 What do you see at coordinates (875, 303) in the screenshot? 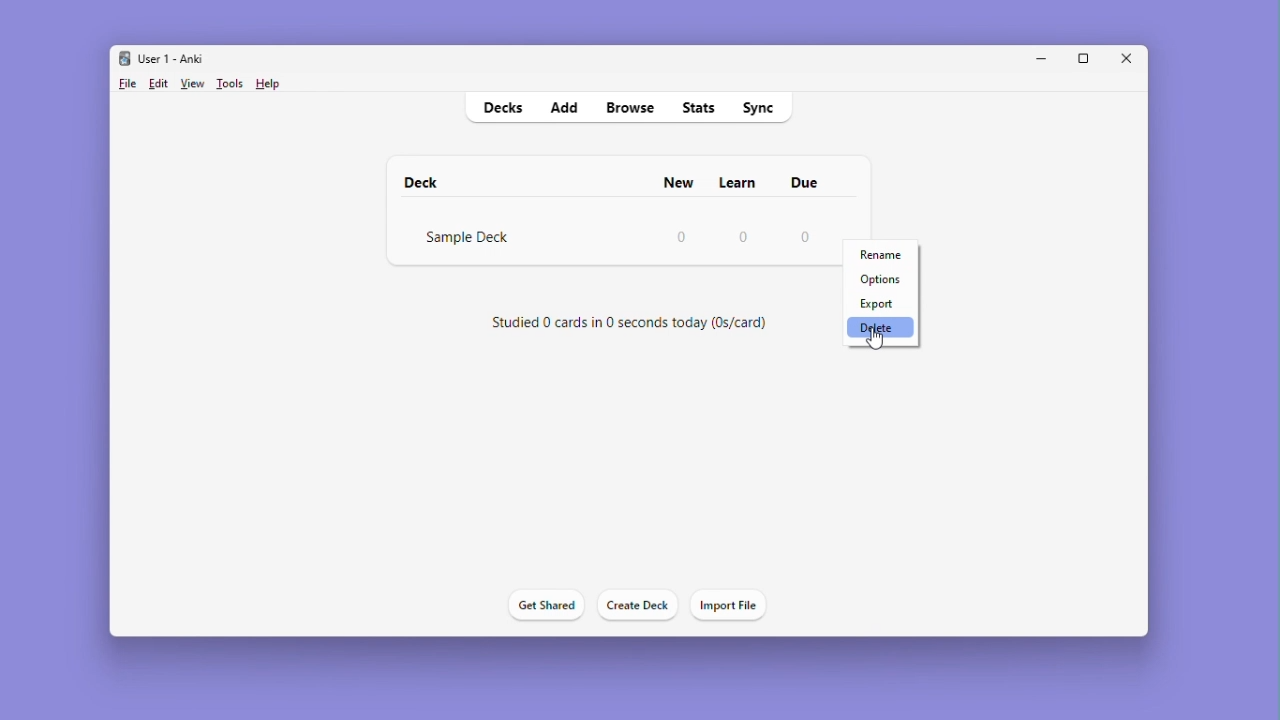
I see `Export` at bounding box center [875, 303].